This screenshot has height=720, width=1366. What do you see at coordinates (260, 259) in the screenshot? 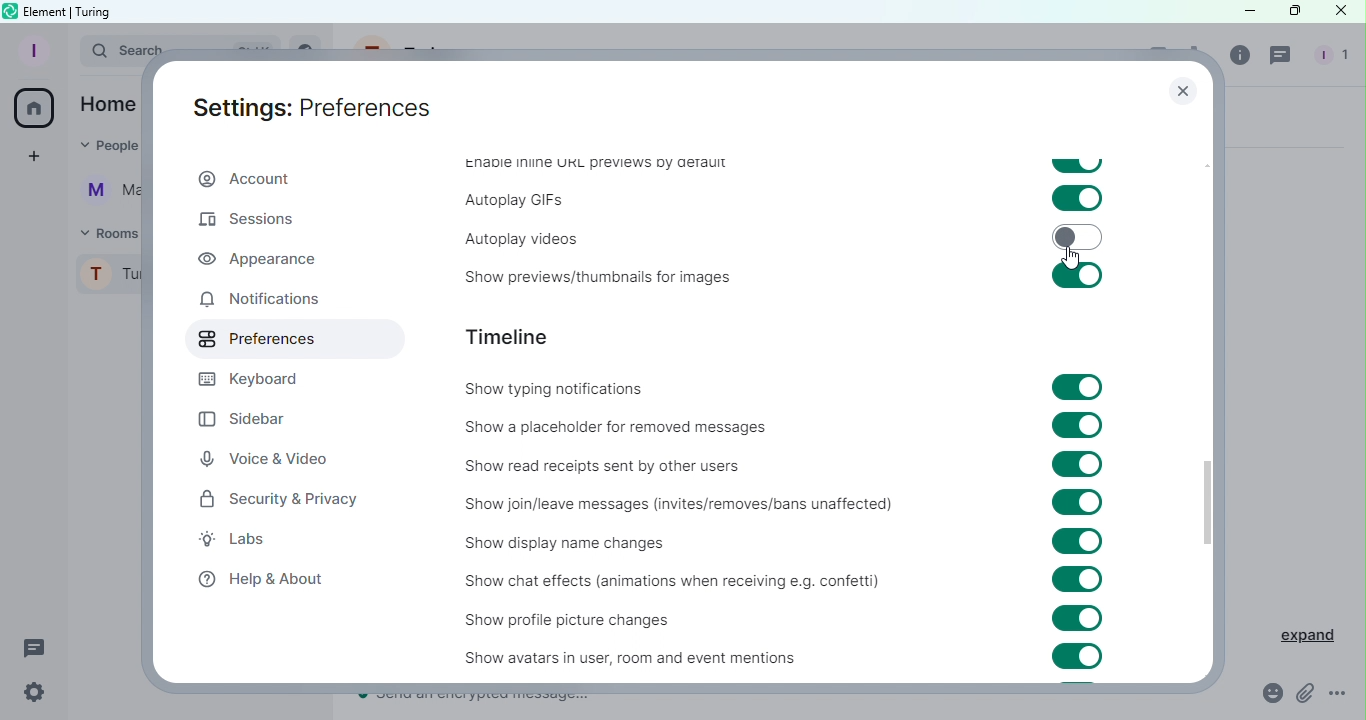
I see `Appearance` at bounding box center [260, 259].